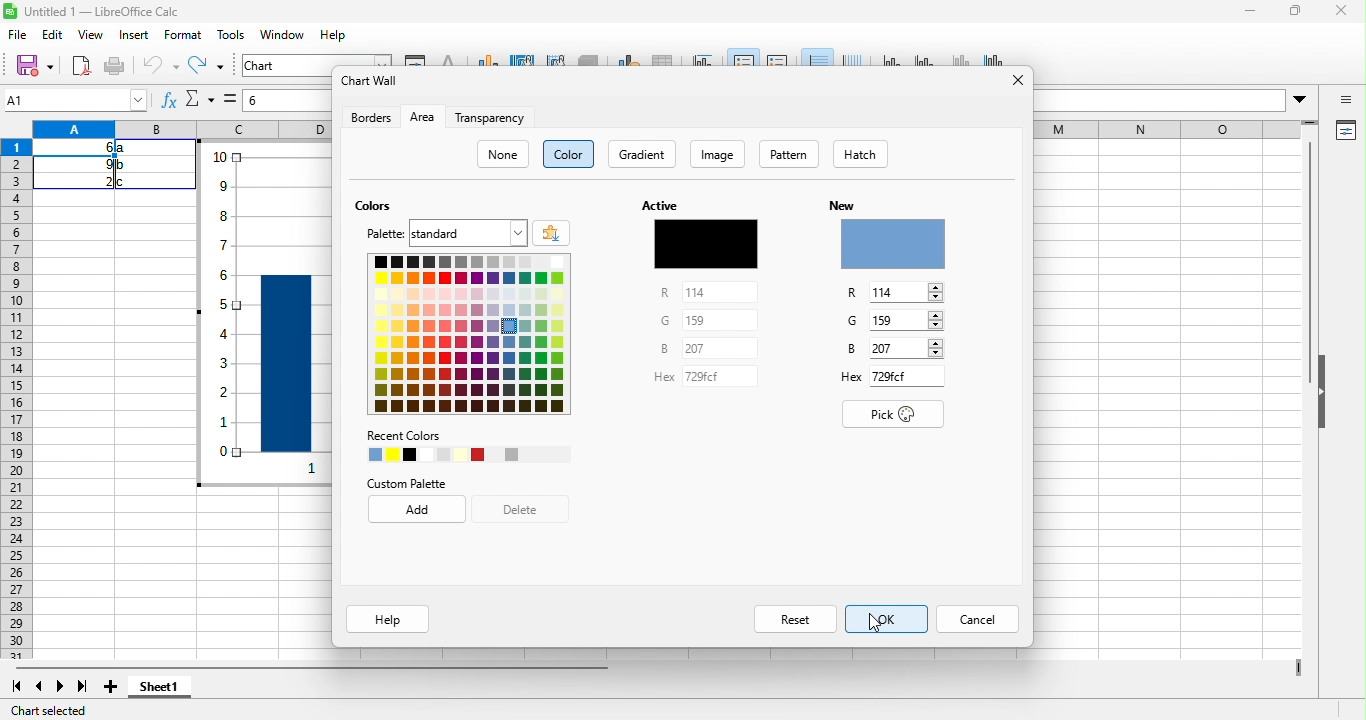 This screenshot has width=1366, height=720. Describe the element at coordinates (664, 380) in the screenshot. I see `Hex` at that location.